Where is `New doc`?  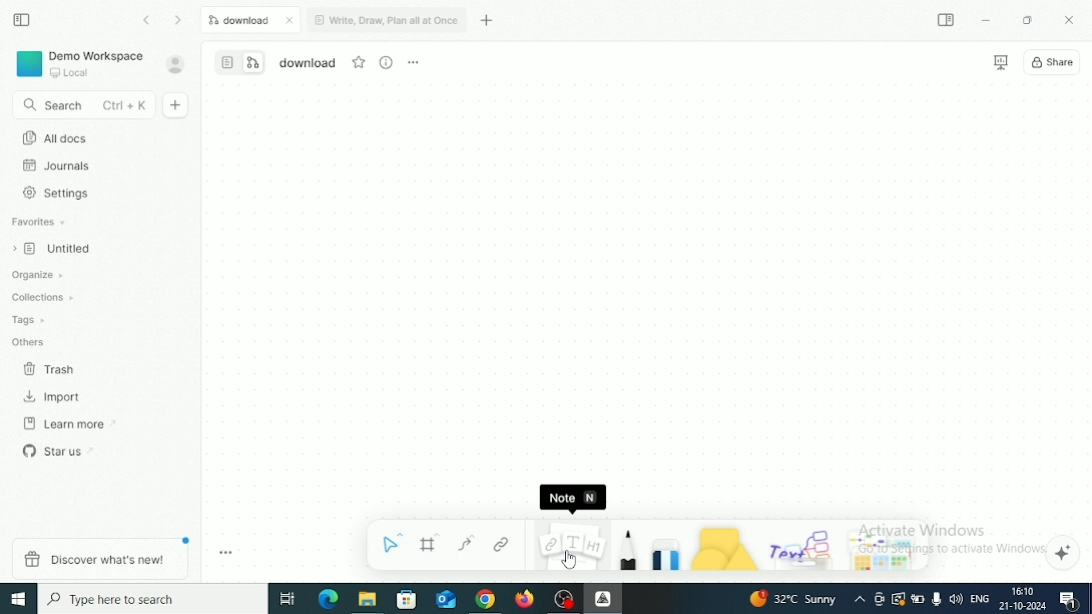 New doc is located at coordinates (178, 106).